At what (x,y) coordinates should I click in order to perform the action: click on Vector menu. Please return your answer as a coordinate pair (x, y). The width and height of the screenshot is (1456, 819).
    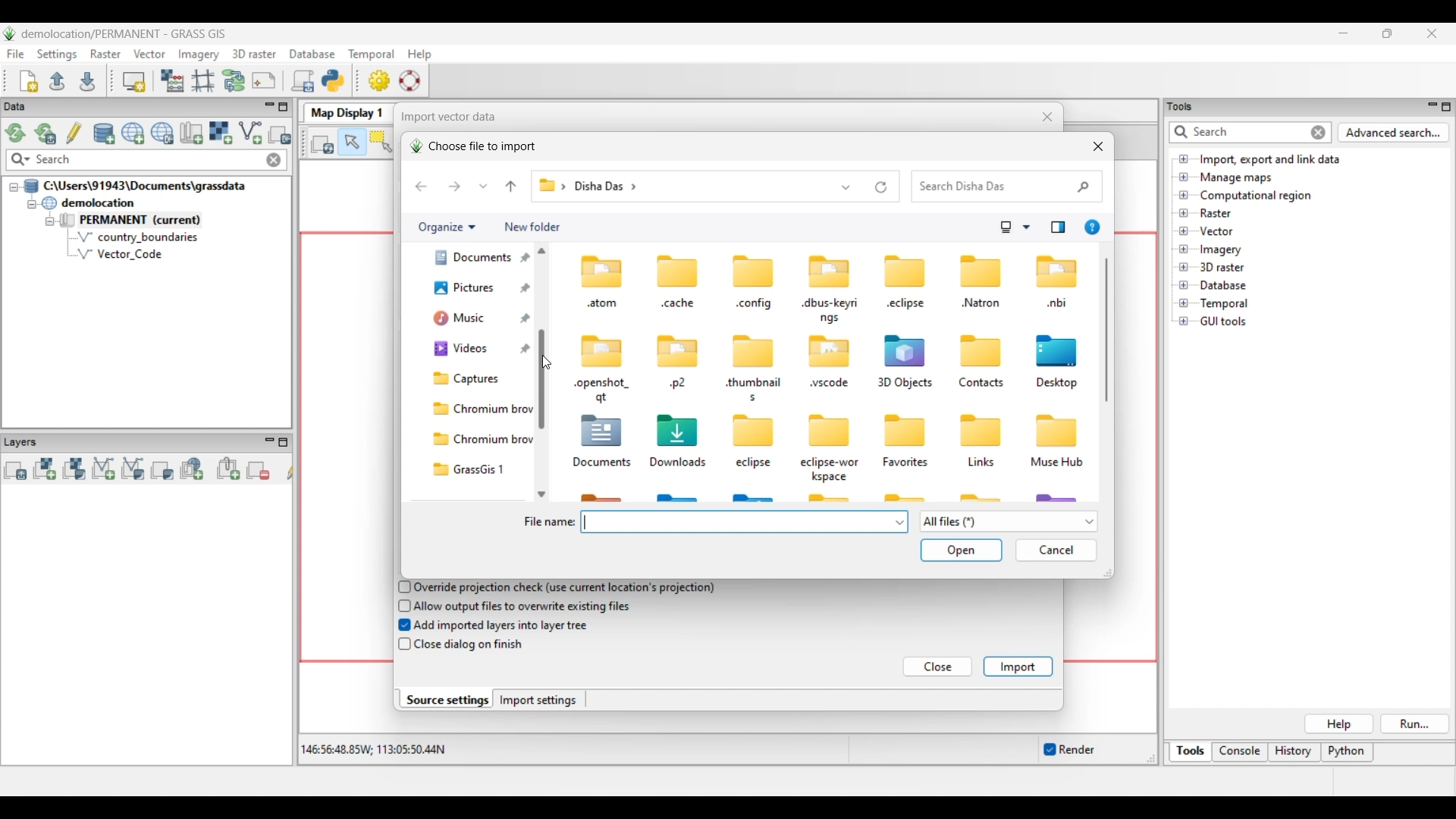
    Looking at the image, I should click on (149, 54).